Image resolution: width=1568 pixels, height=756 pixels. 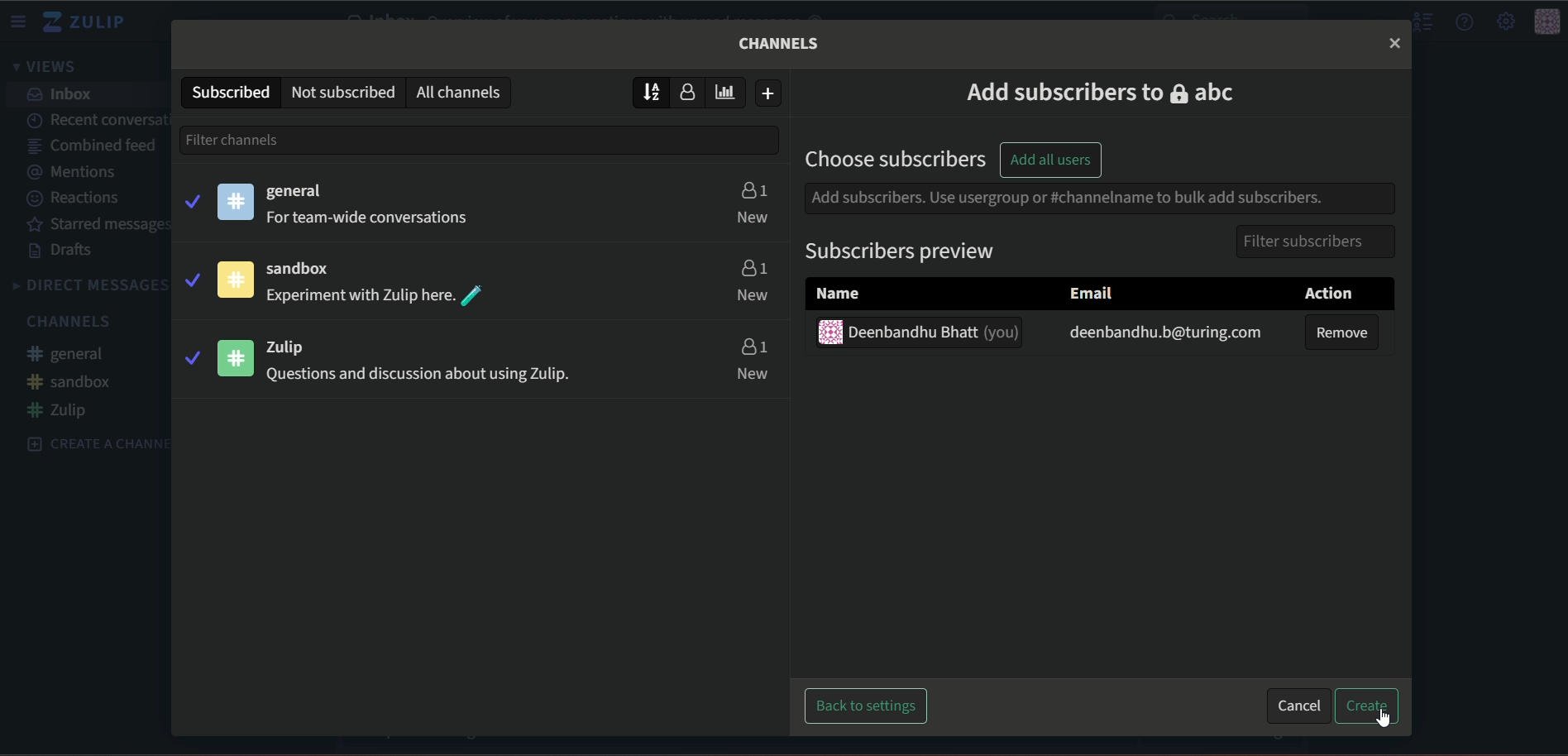 What do you see at coordinates (753, 346) in the screenshot?
I see `users` at bounding box center [753, 346].